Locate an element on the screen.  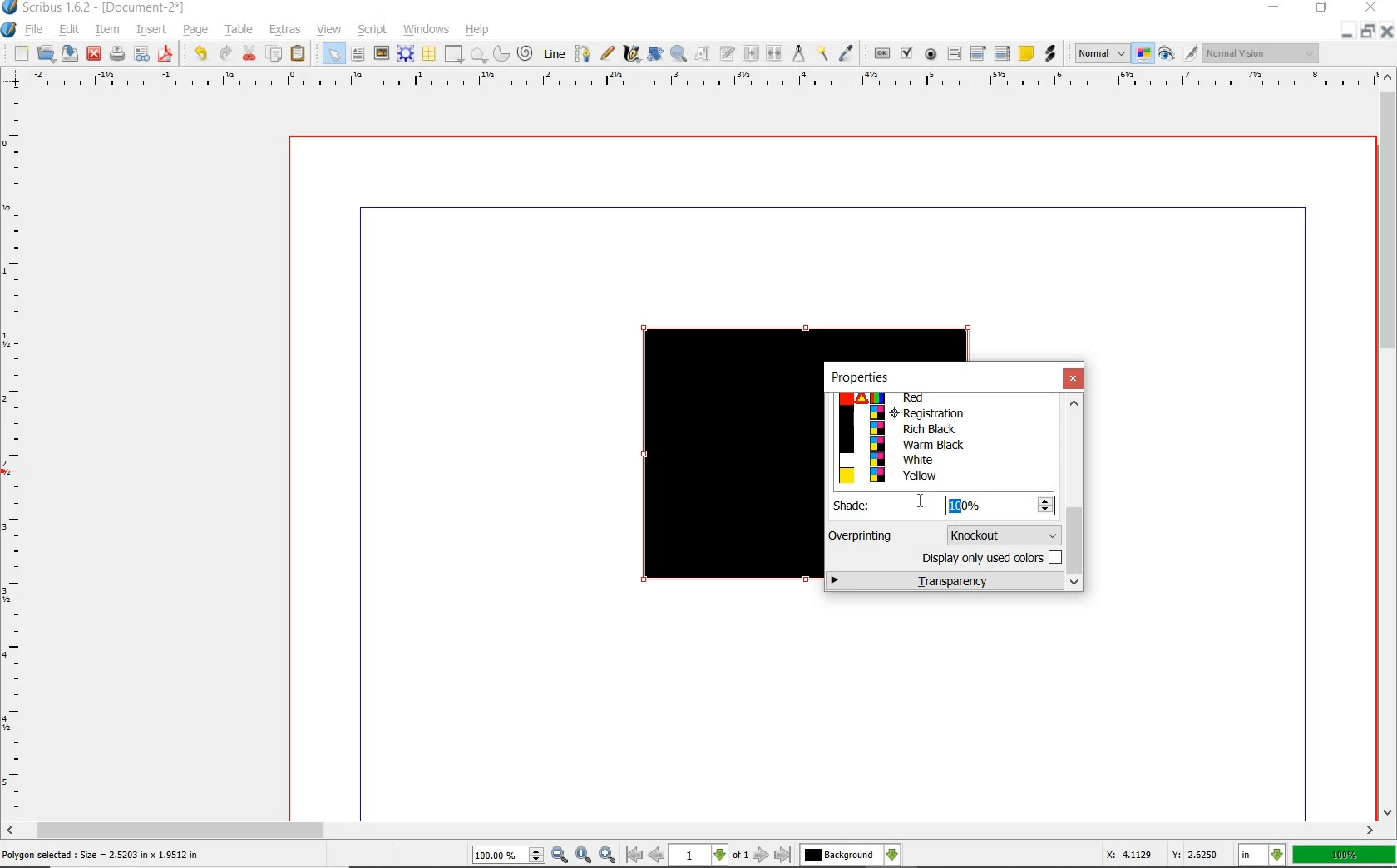
go to last page is located at coordinates (783, 854).